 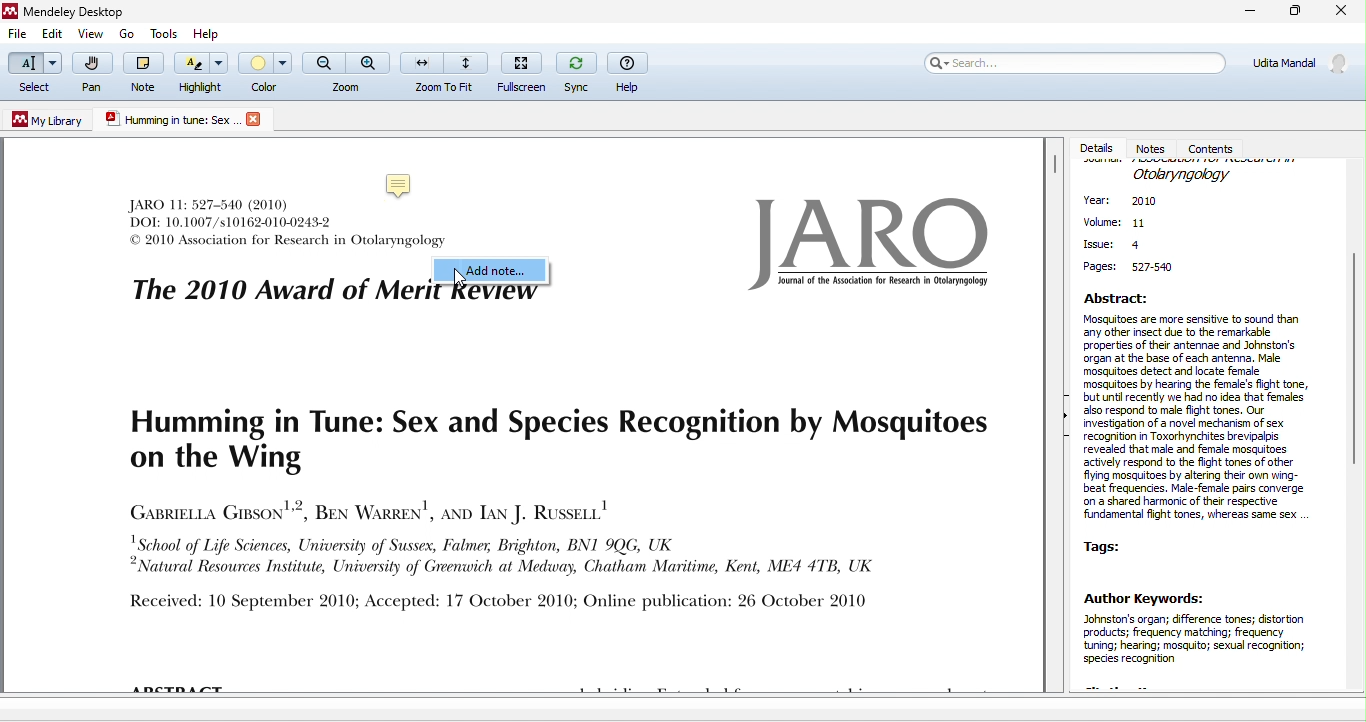 I want to click on note, so click(x=403, y=183).